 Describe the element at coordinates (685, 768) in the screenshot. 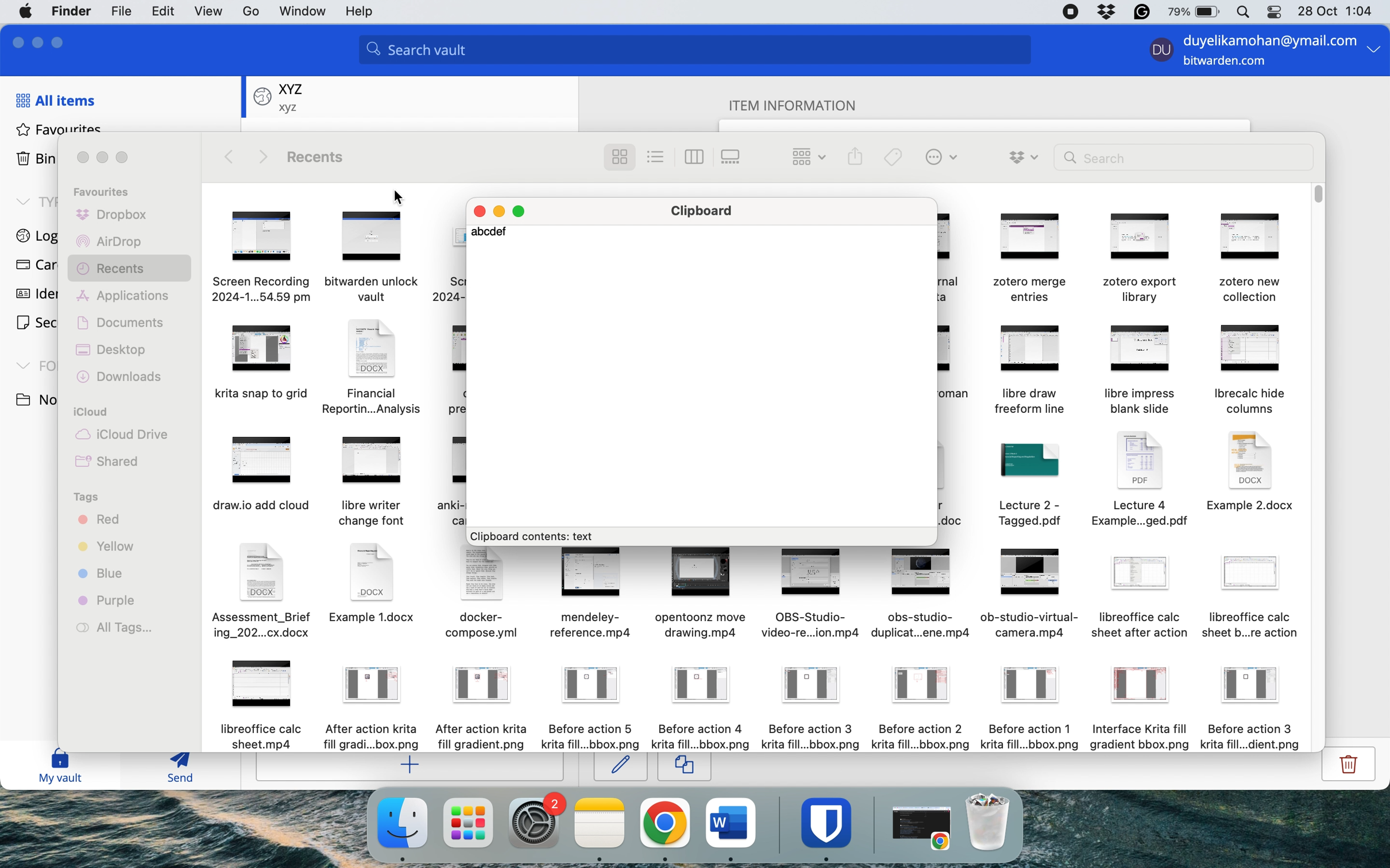

I see `copy` at that location.